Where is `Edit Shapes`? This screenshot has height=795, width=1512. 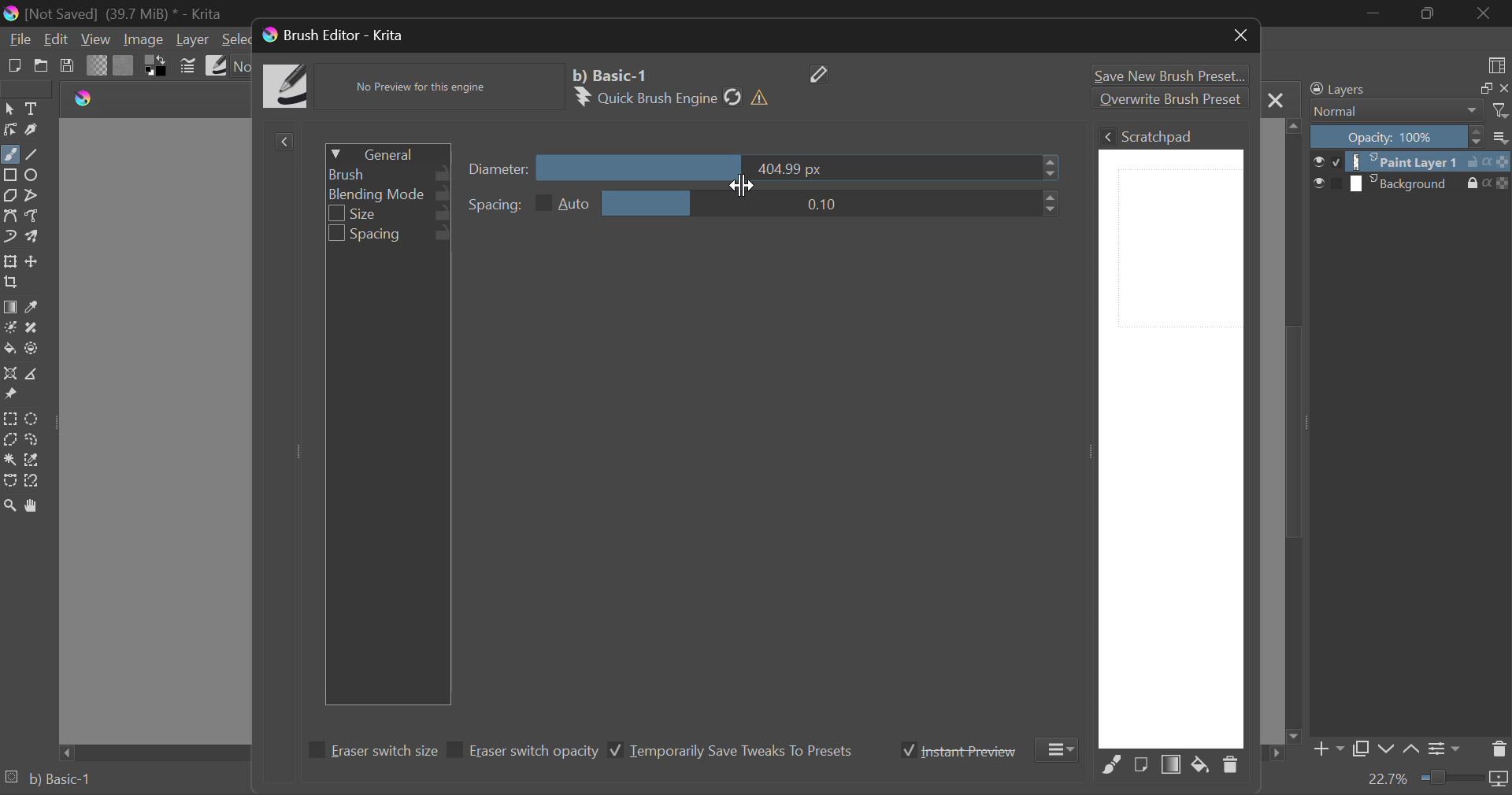 Edit Shapes is located at coordinates (9, 129).